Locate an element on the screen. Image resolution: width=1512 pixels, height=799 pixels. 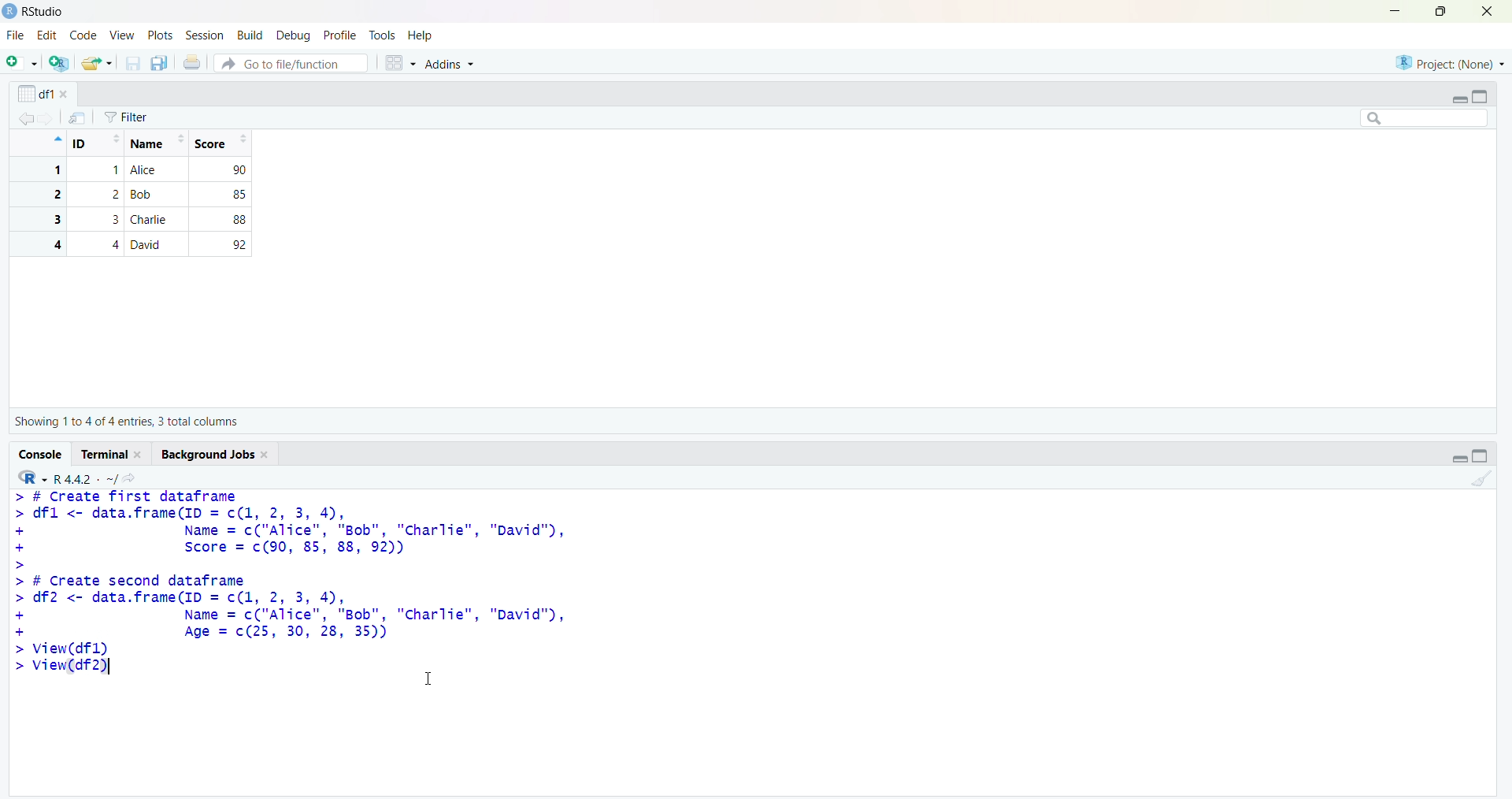
2 2 Bob 85 is located at coordinates (135, 195).